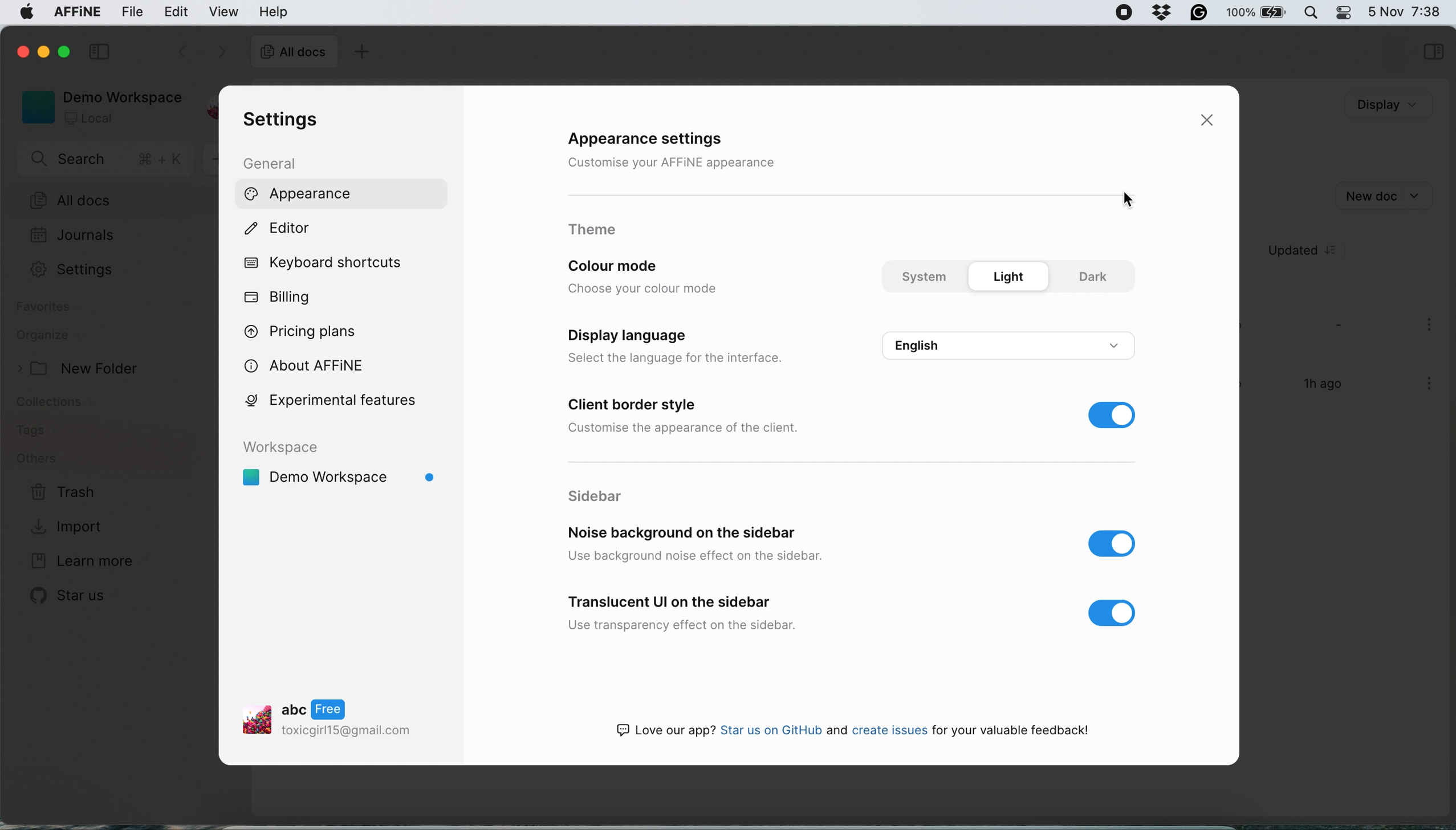 The width and height of the screenshot is (1456, 830). Describe the element at coordinates (290, 51) in the screenshot. I see `all docs` at that location.